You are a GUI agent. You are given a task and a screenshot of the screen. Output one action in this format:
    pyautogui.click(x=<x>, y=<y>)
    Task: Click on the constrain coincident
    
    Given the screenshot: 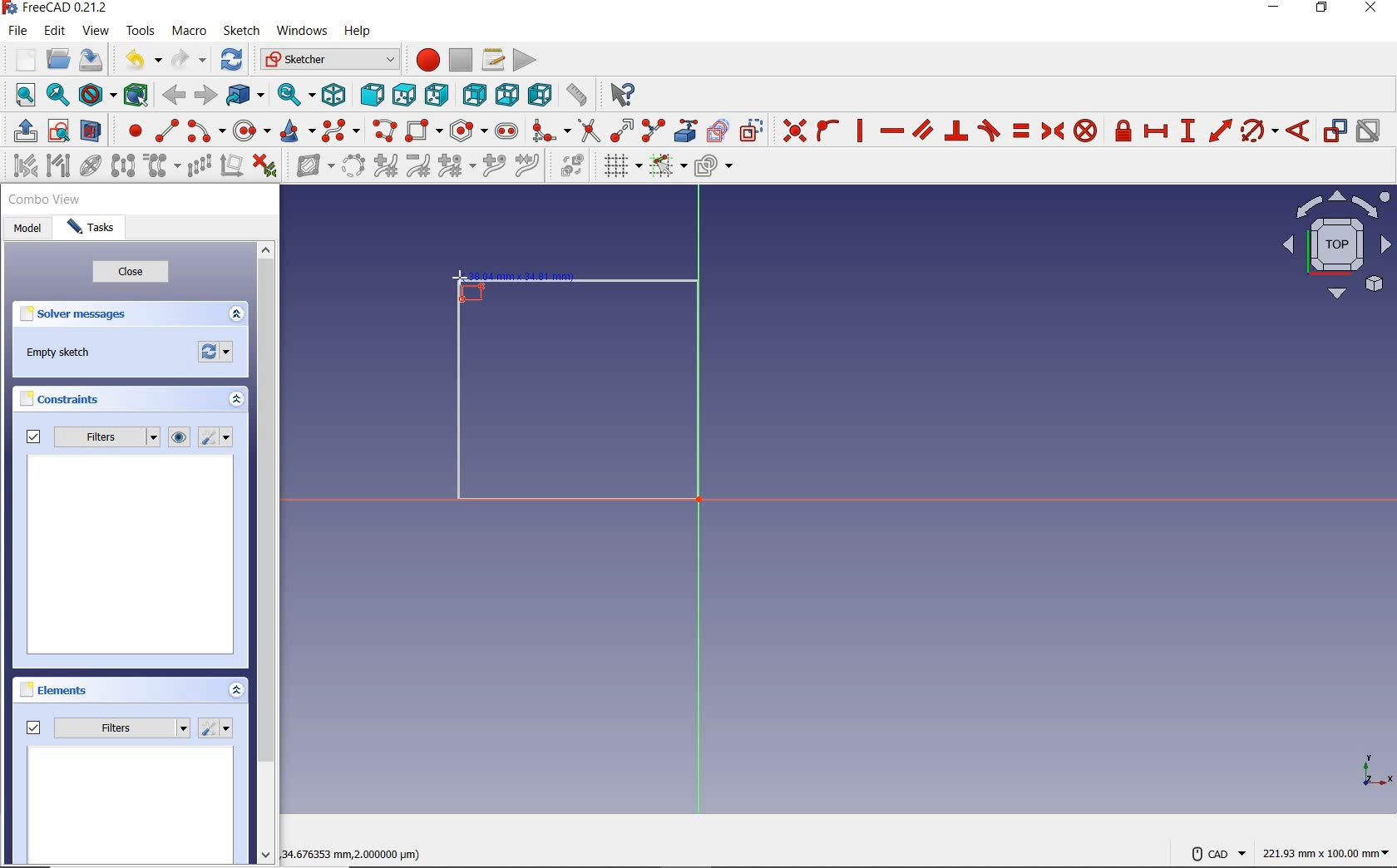 What is the action you would take?
    pyautogui.click(x=792, y=131)
    